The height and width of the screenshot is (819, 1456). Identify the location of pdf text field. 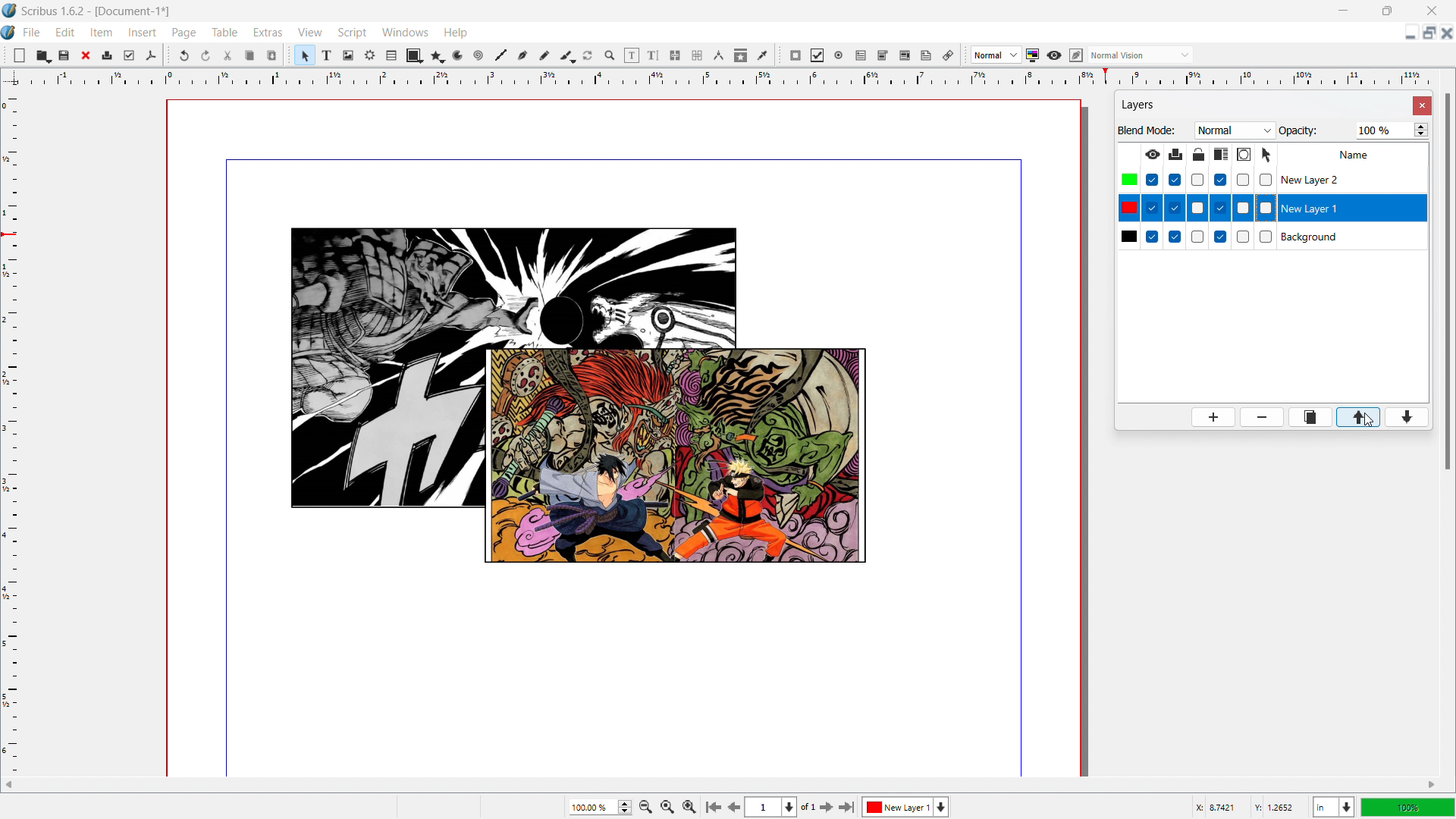
(861, 55).